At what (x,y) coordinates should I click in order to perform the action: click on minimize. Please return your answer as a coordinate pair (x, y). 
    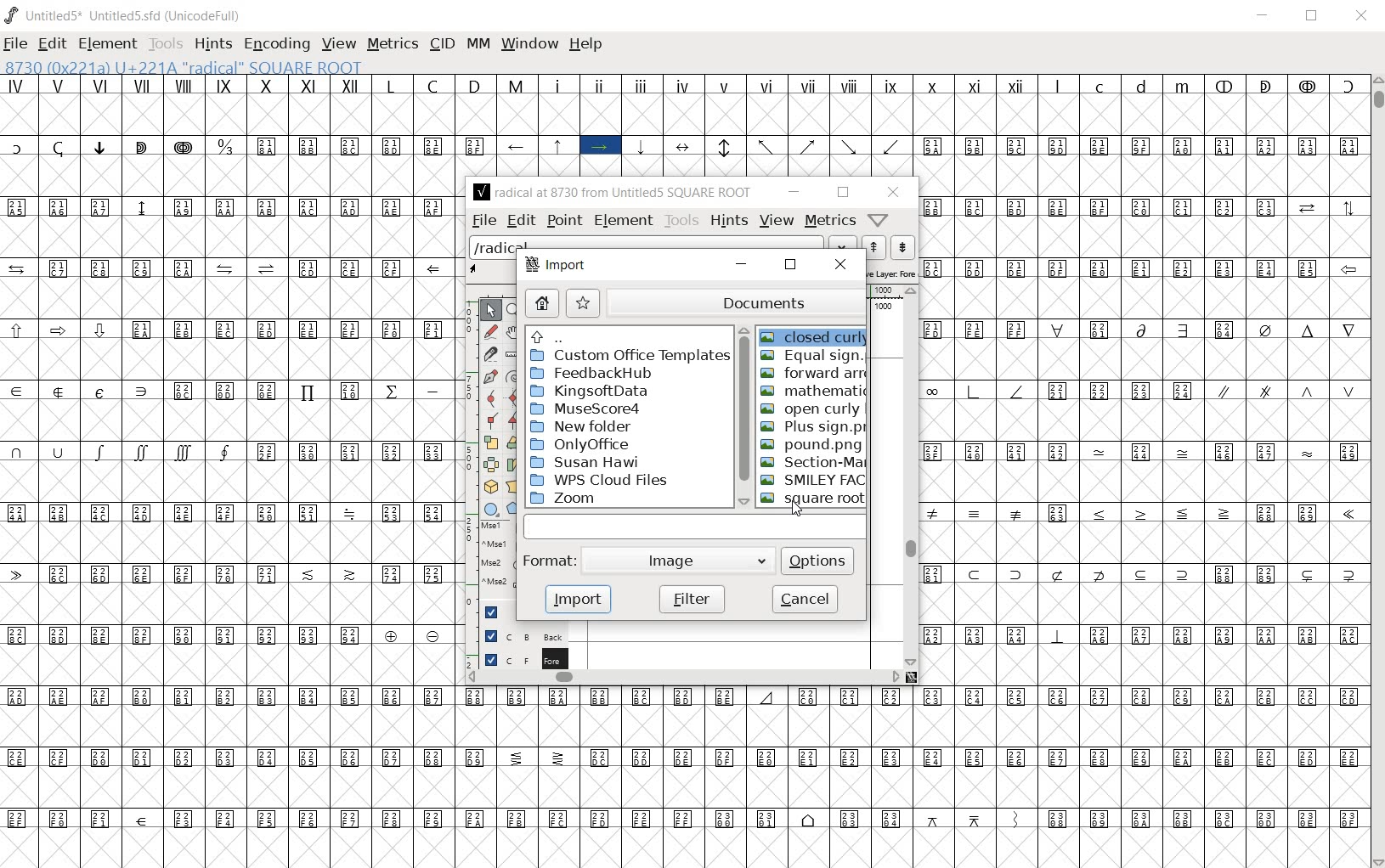
    Looking at the image, I should click on (741, 264).